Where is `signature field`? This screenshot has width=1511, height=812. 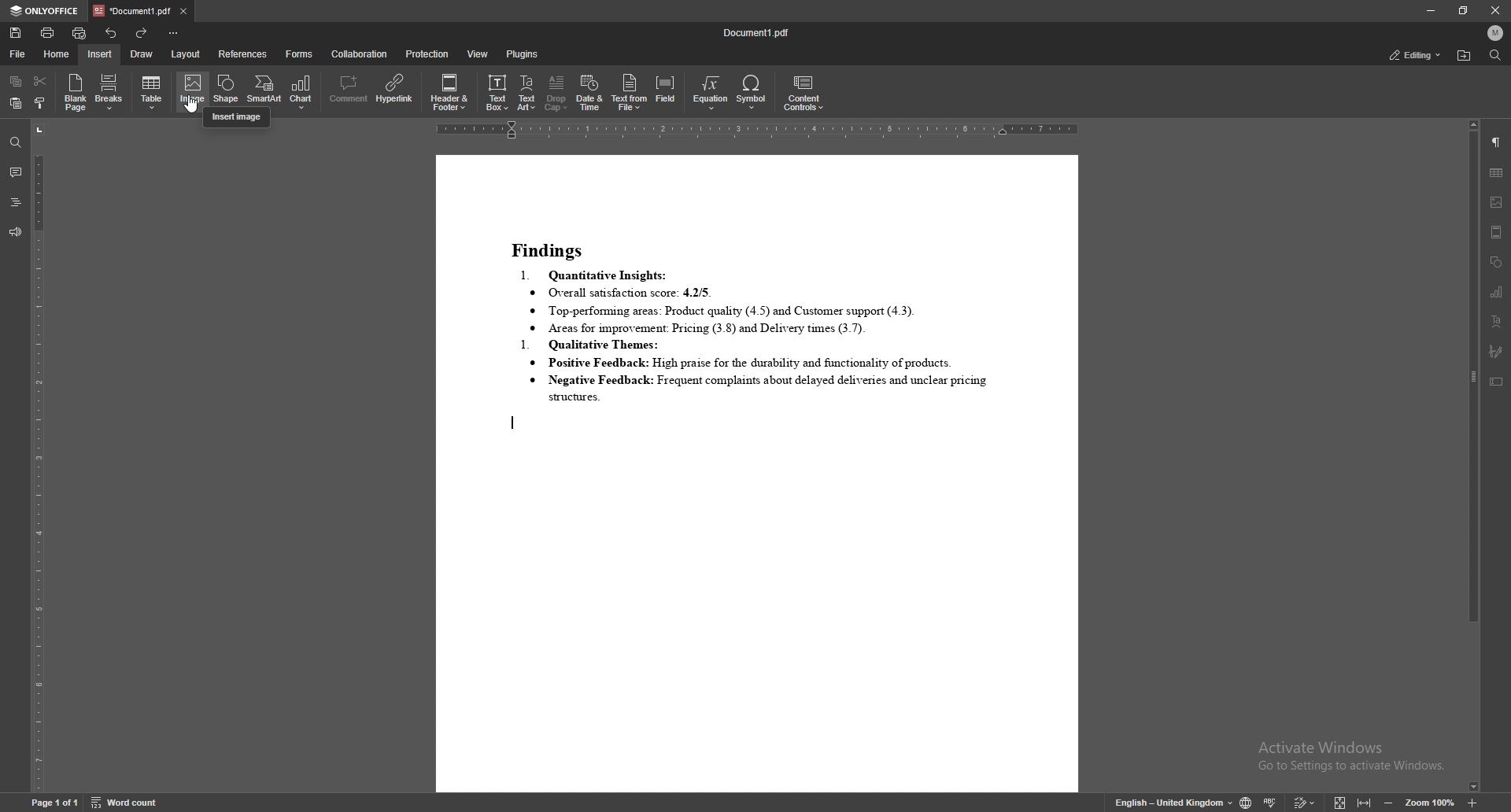 signature field is located at coordinates (1494, 351).